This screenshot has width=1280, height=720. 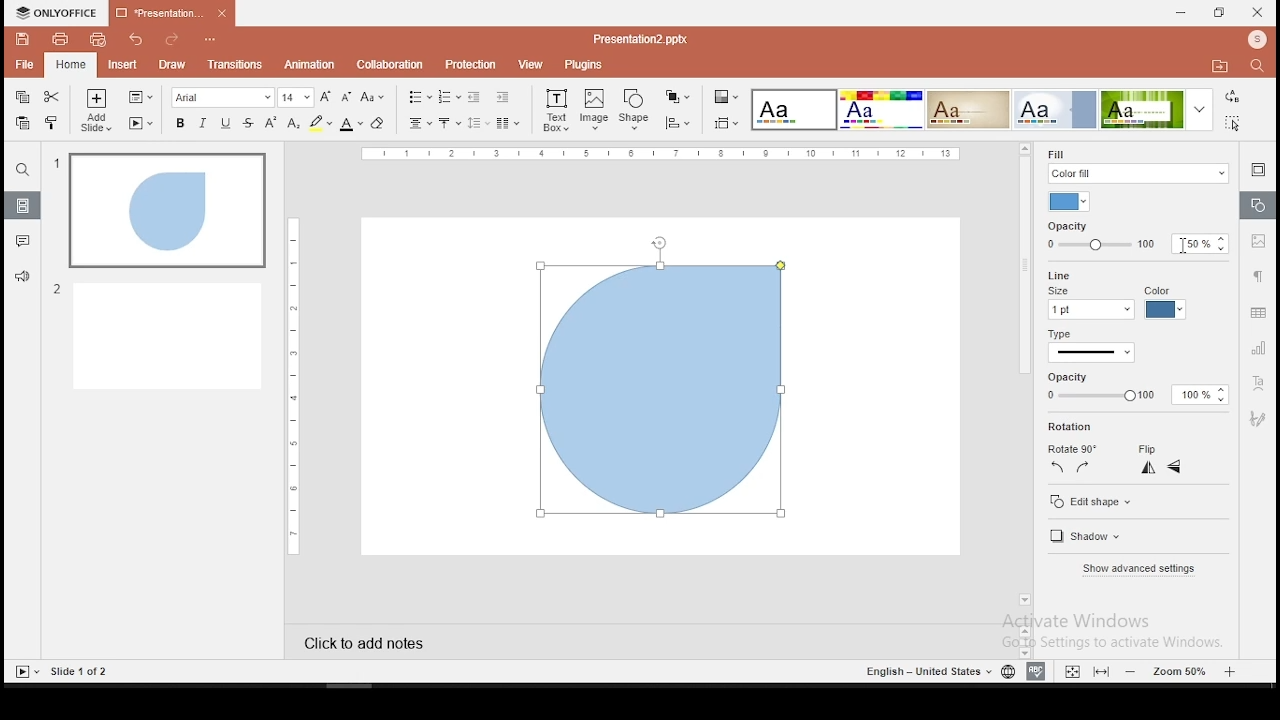 What do you see at coordinates (82, 672) in the screenshot?
I see `slide 1 of 2` at bounding box center [82, 672].